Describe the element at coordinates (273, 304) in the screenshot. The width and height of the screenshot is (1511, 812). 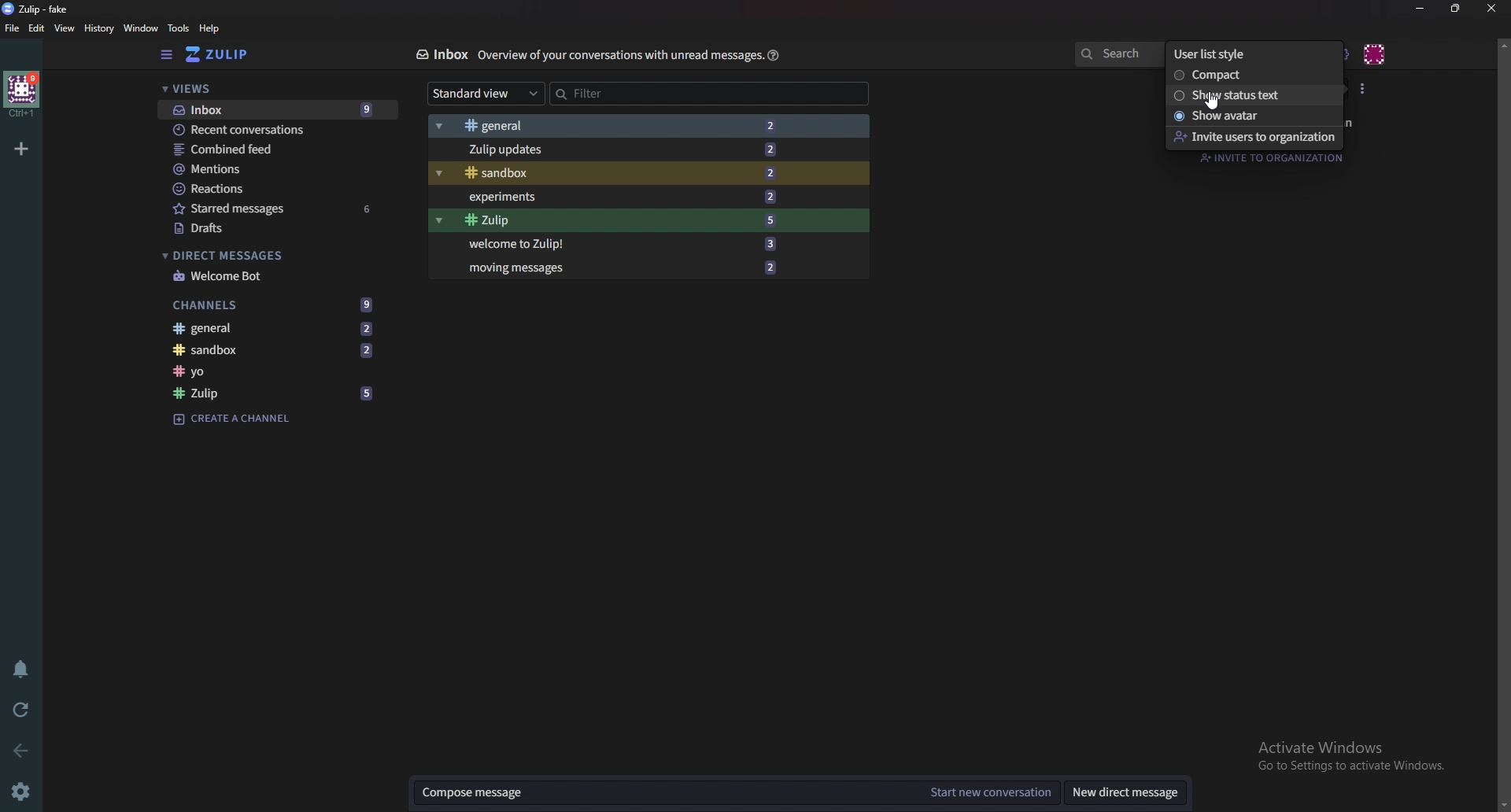
I see `Channels` at that location.